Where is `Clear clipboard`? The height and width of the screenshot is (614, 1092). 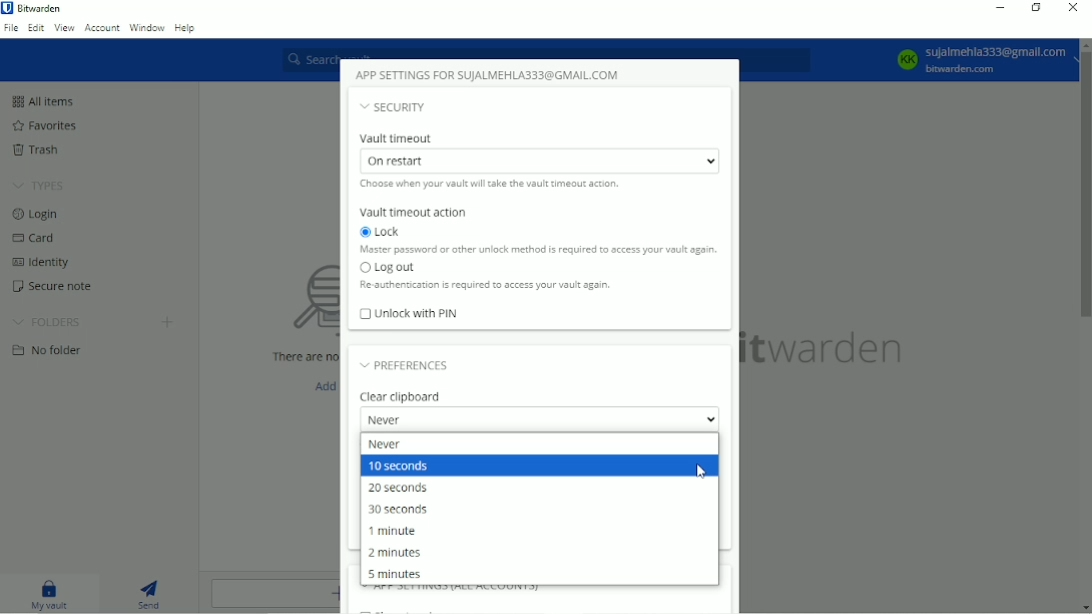 Clear clipboard is located at coordinates (404, 395).